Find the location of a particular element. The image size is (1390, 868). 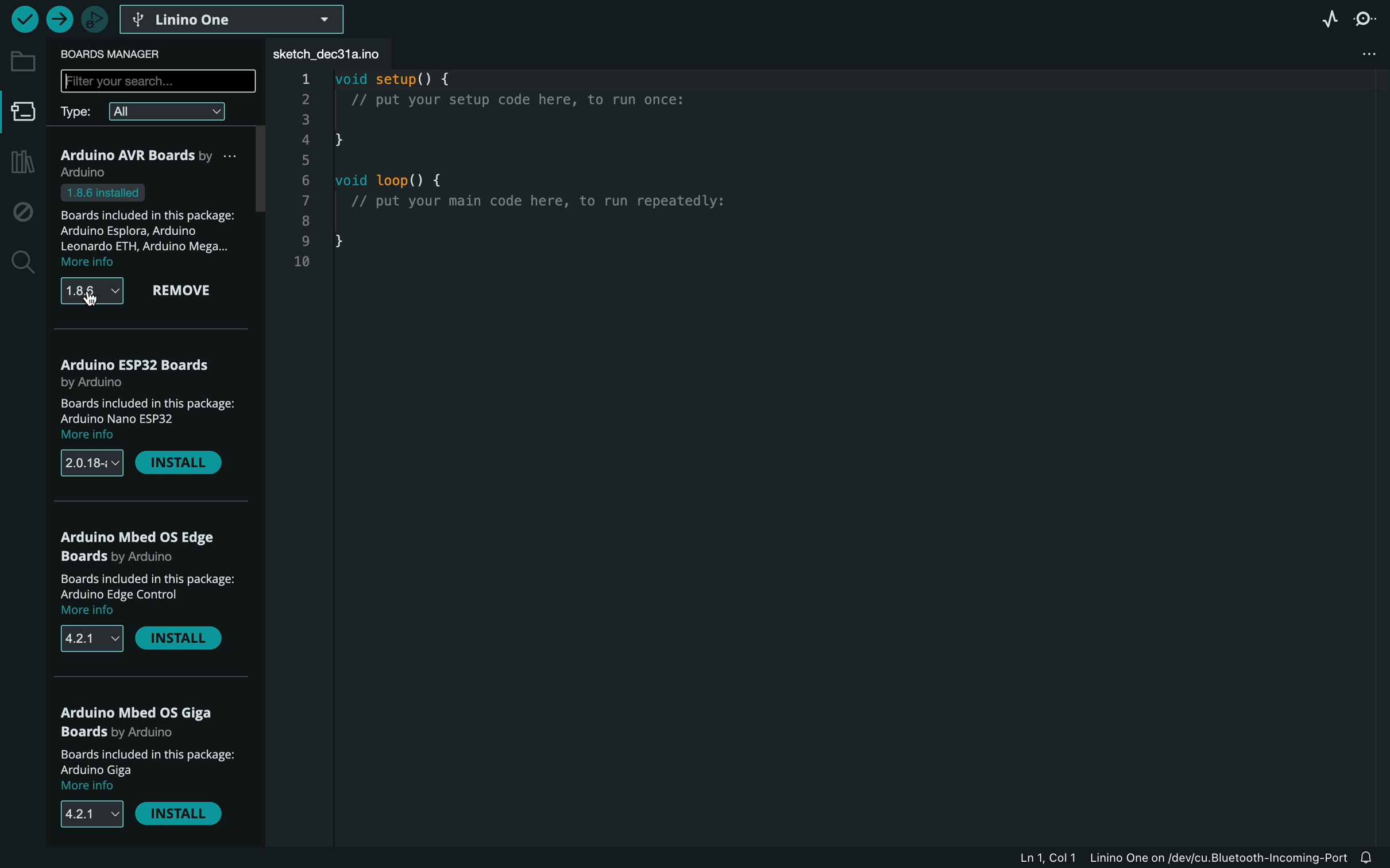

5 is located at coordinates (305, 162).